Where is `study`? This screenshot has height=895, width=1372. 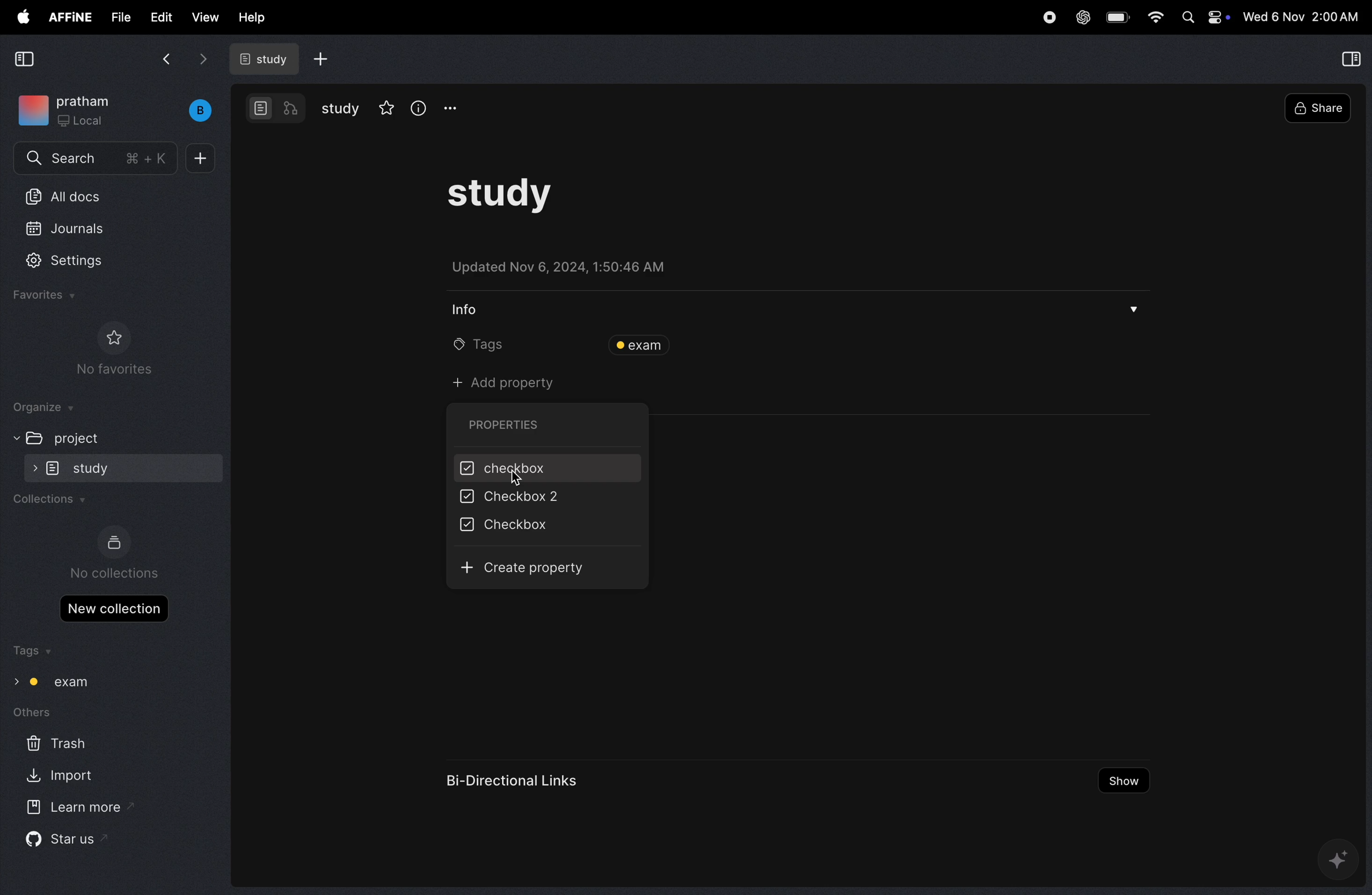
study is located at coordinates (342, 108).